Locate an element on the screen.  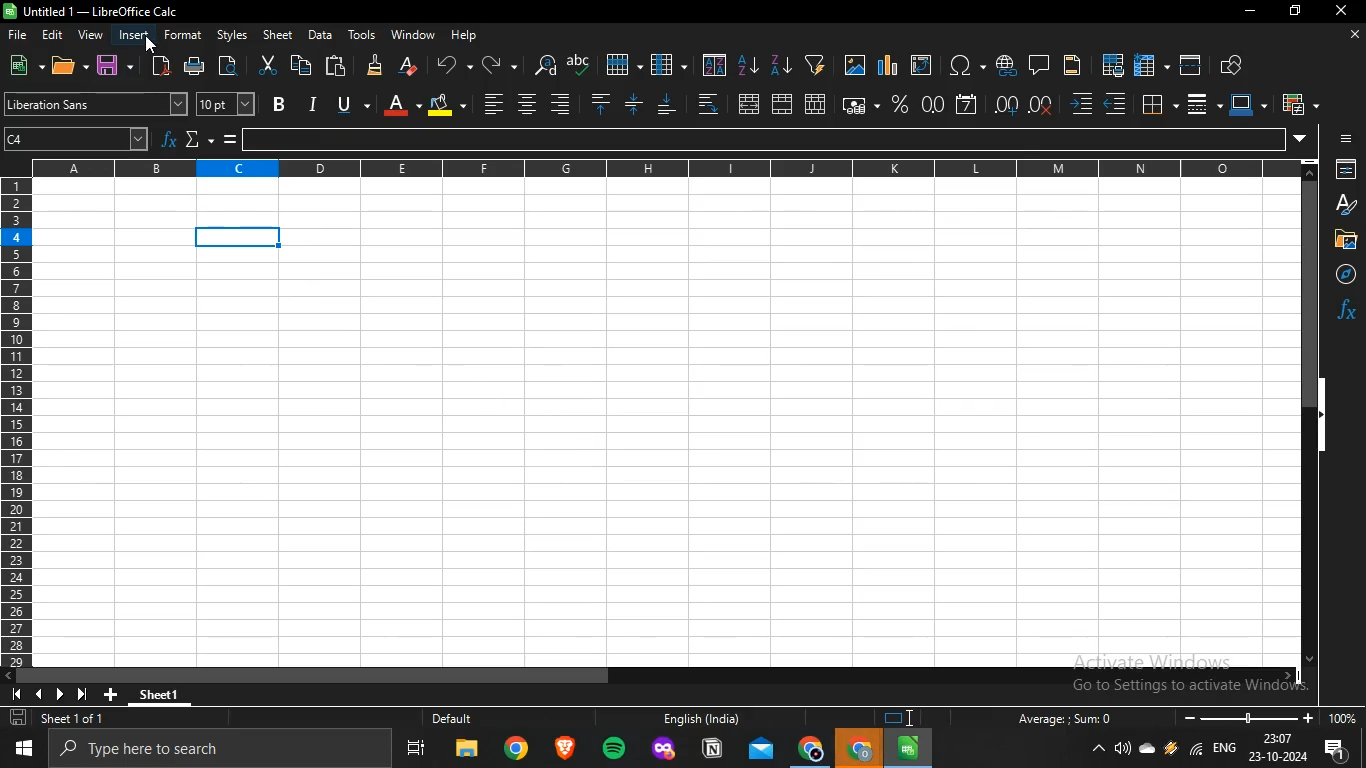
libreoffice calc is located at coordinates (909, 748).